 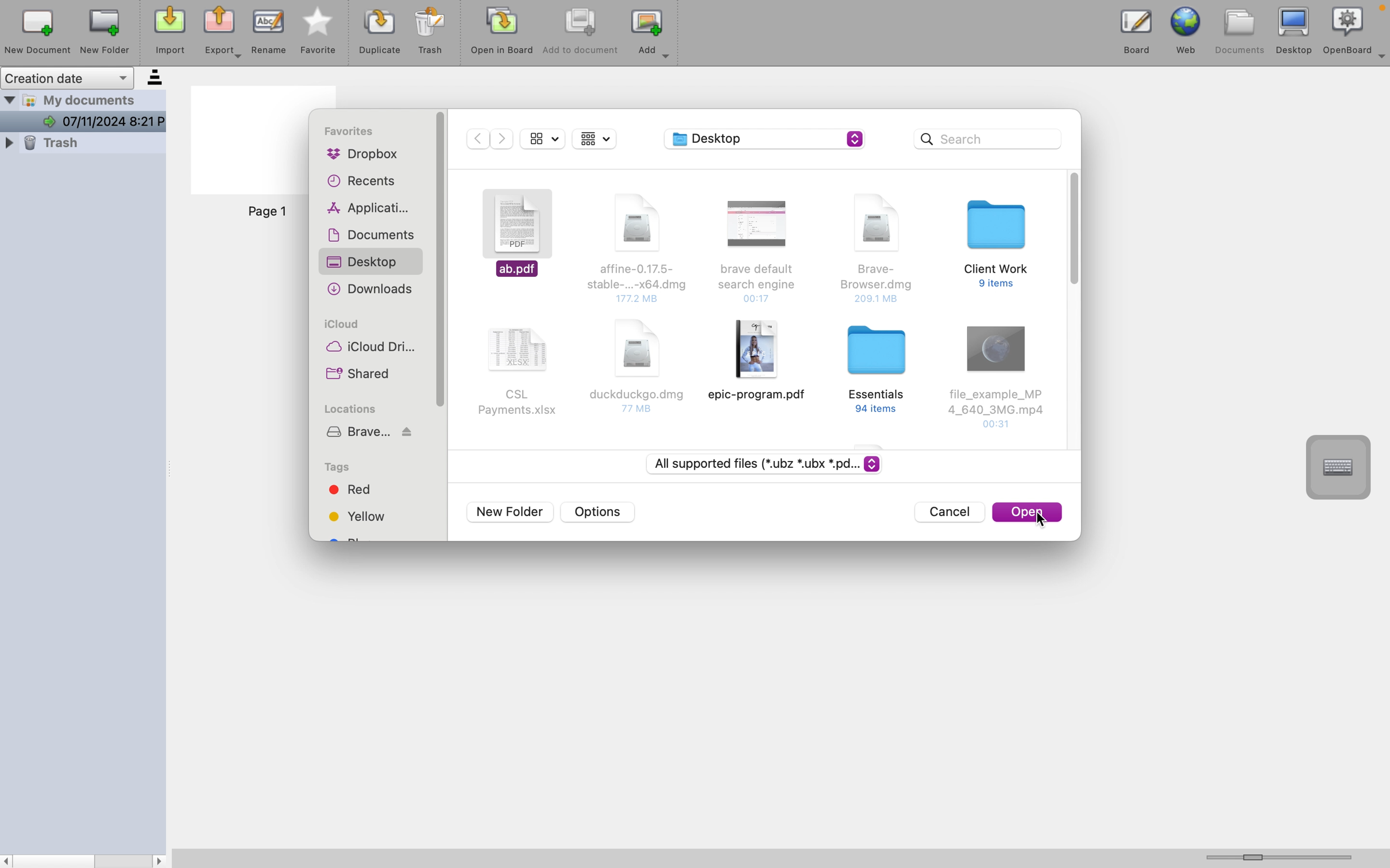 I want to click on board, so click(x=1137, y=29).